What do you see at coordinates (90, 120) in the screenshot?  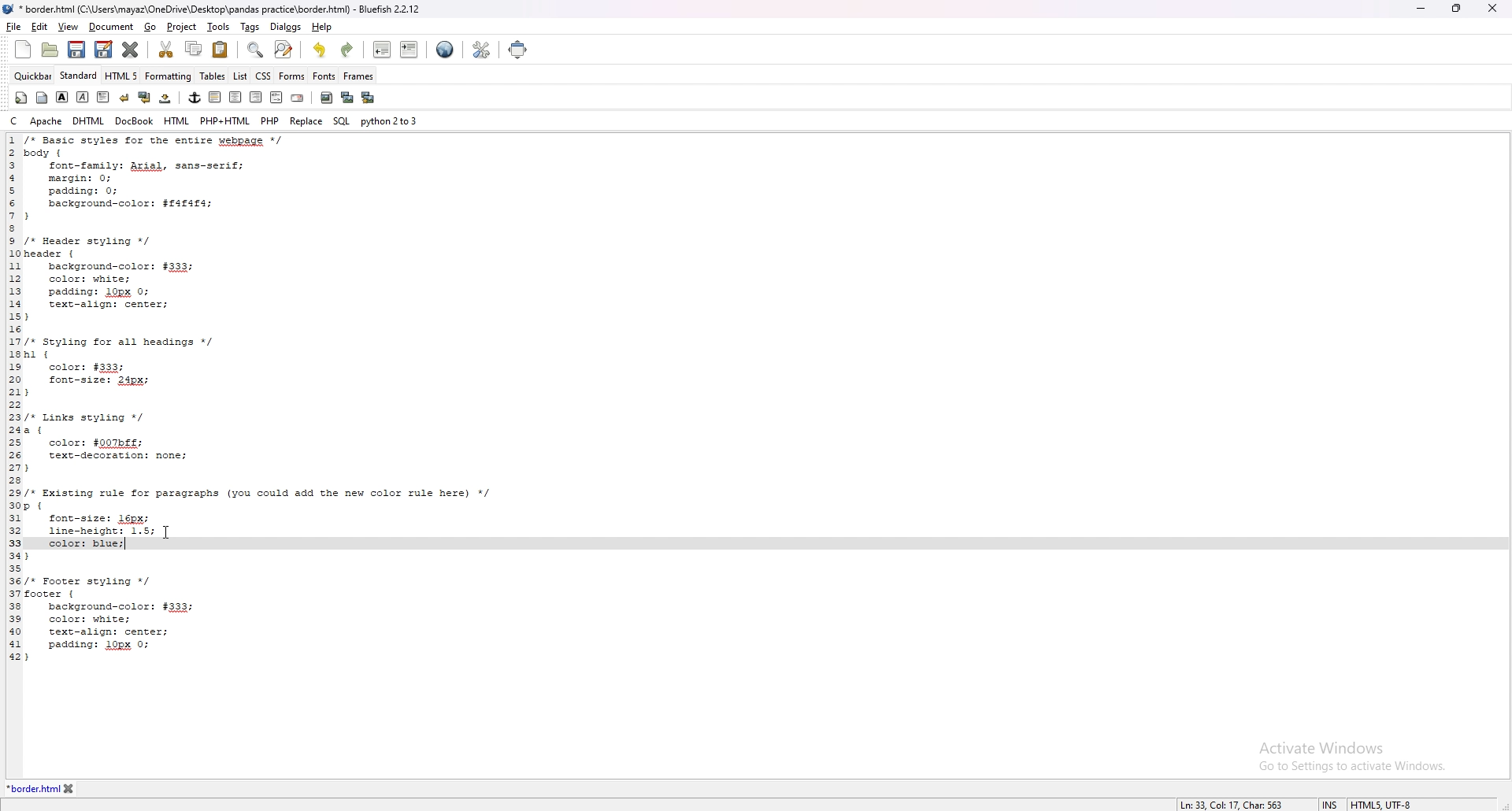 I see `dhtml` at bounding box center [90, 120].